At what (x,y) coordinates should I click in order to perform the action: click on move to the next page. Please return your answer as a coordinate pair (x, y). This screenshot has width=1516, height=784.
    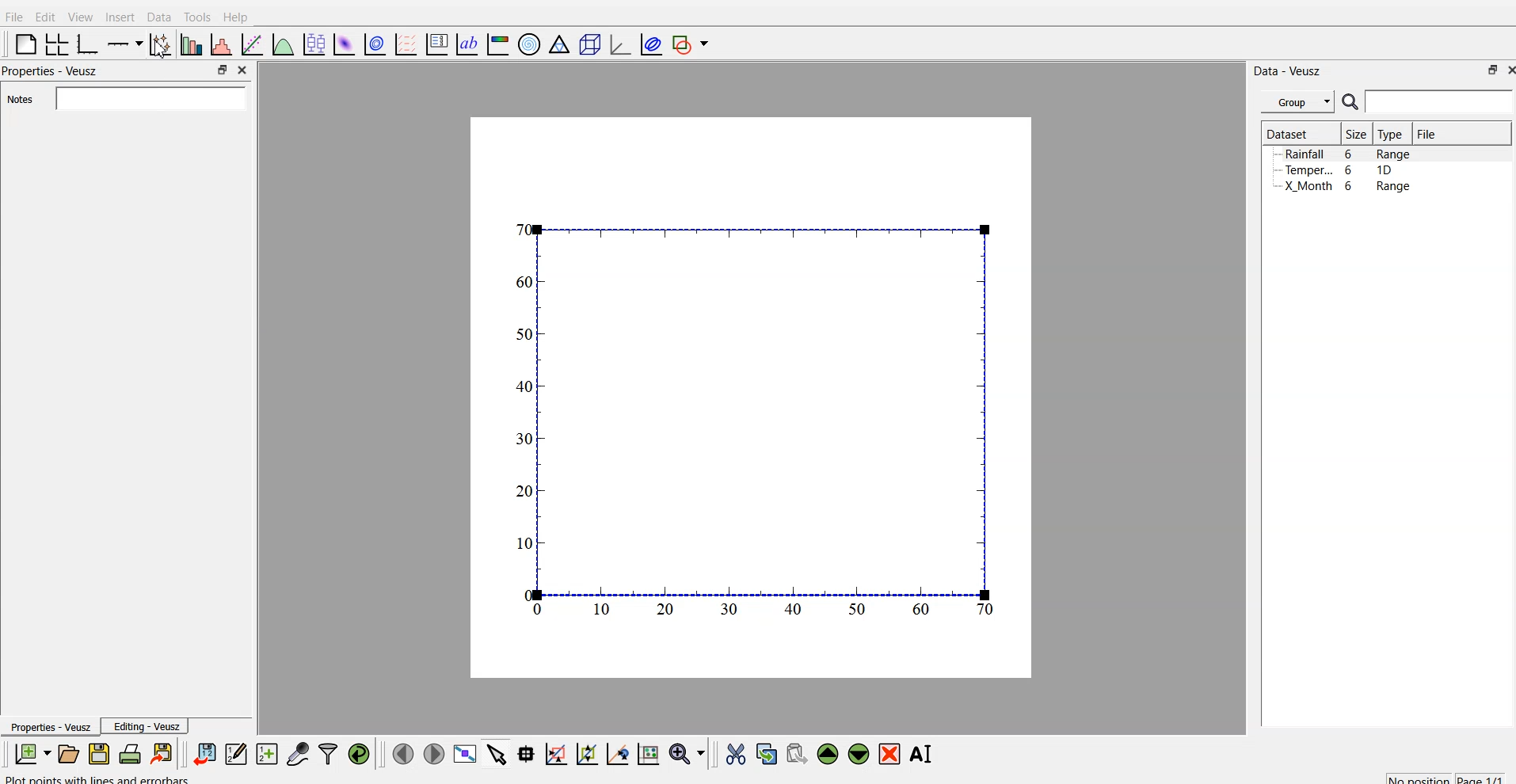
    Looking at the image, I should click on (436, 754).